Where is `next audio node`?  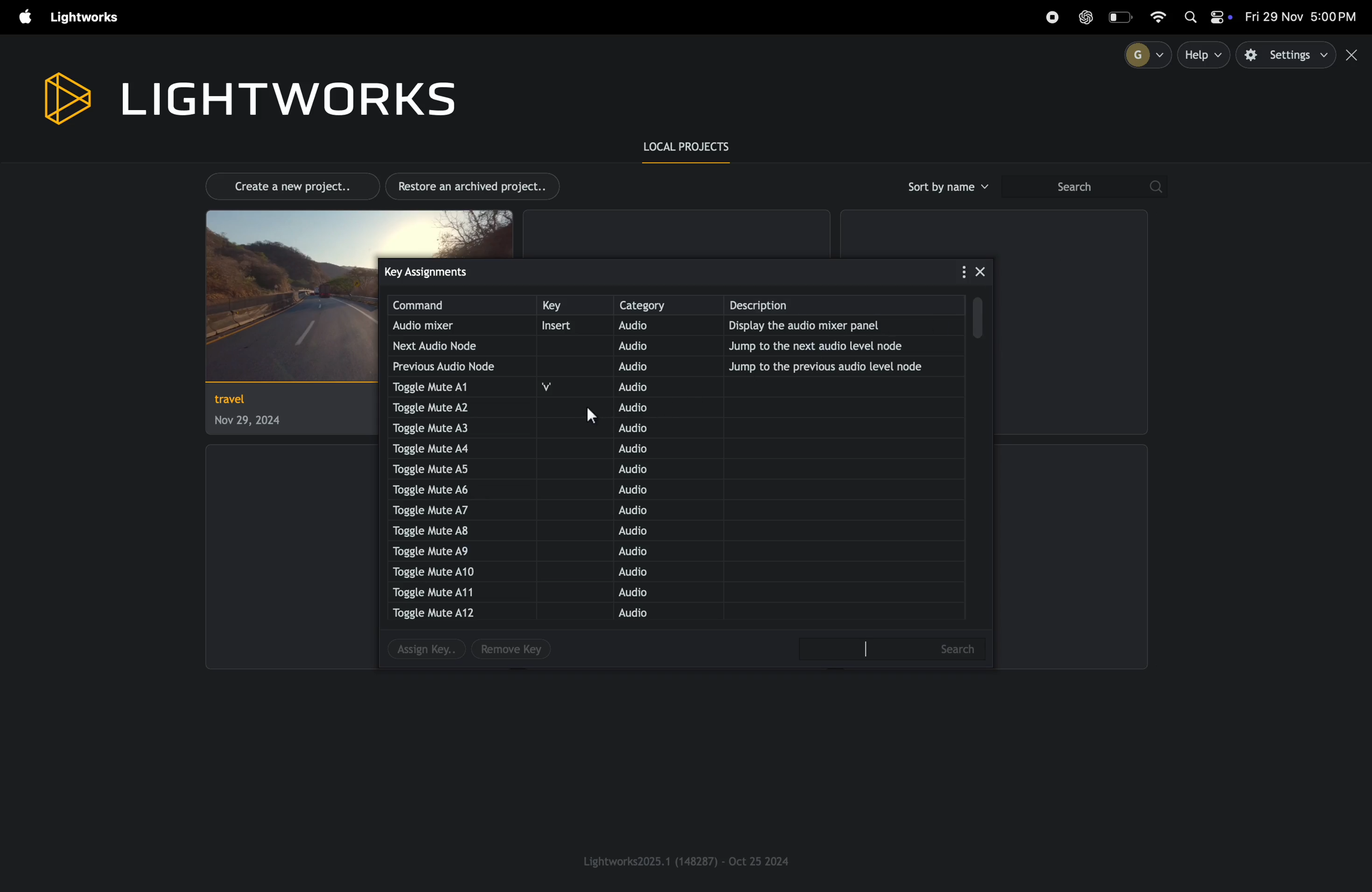
next audio node is located at coordinates (447, 346).